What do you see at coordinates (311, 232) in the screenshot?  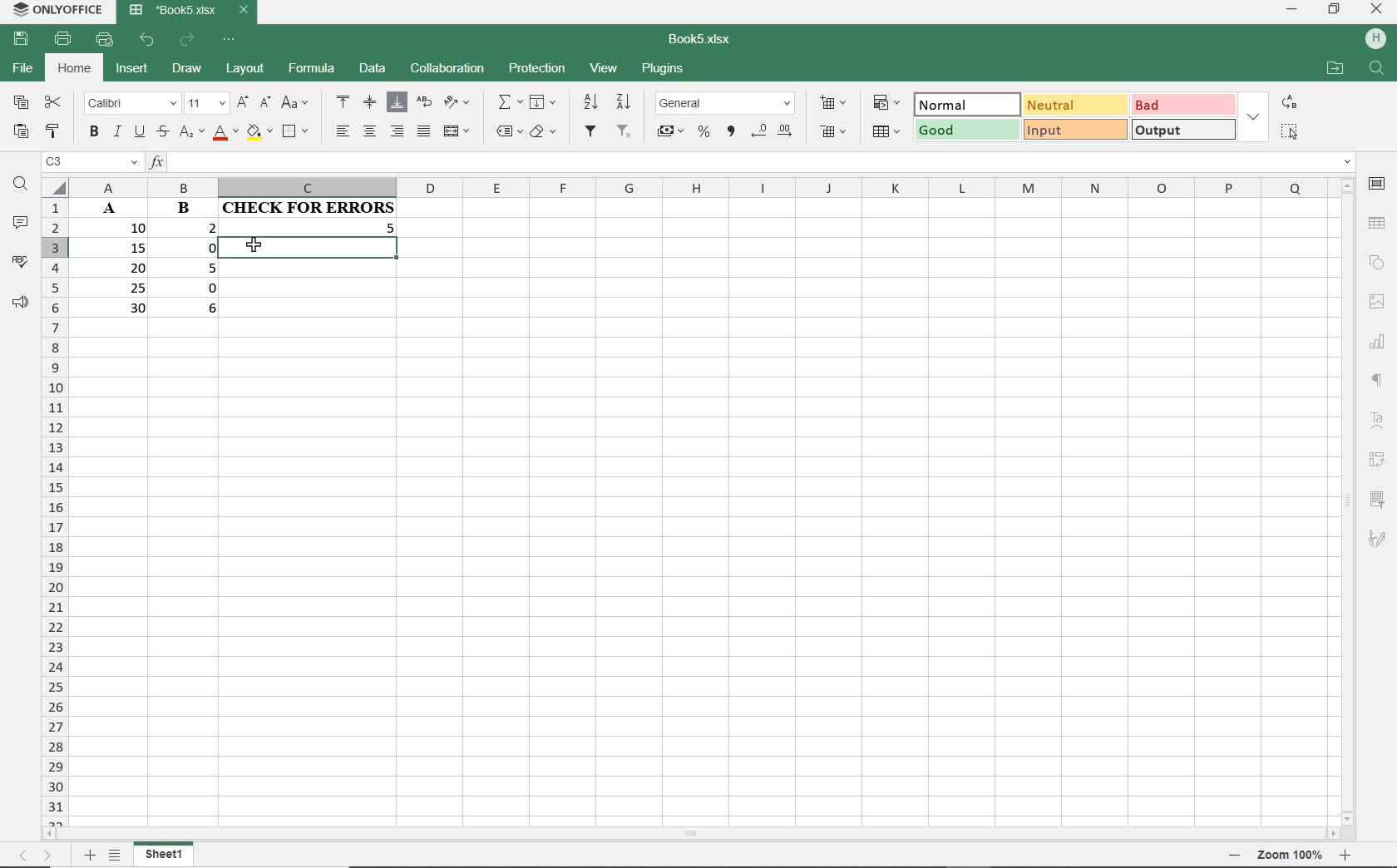 I see `cHECK FOR ERRORS` at bounding box center [311, 232].